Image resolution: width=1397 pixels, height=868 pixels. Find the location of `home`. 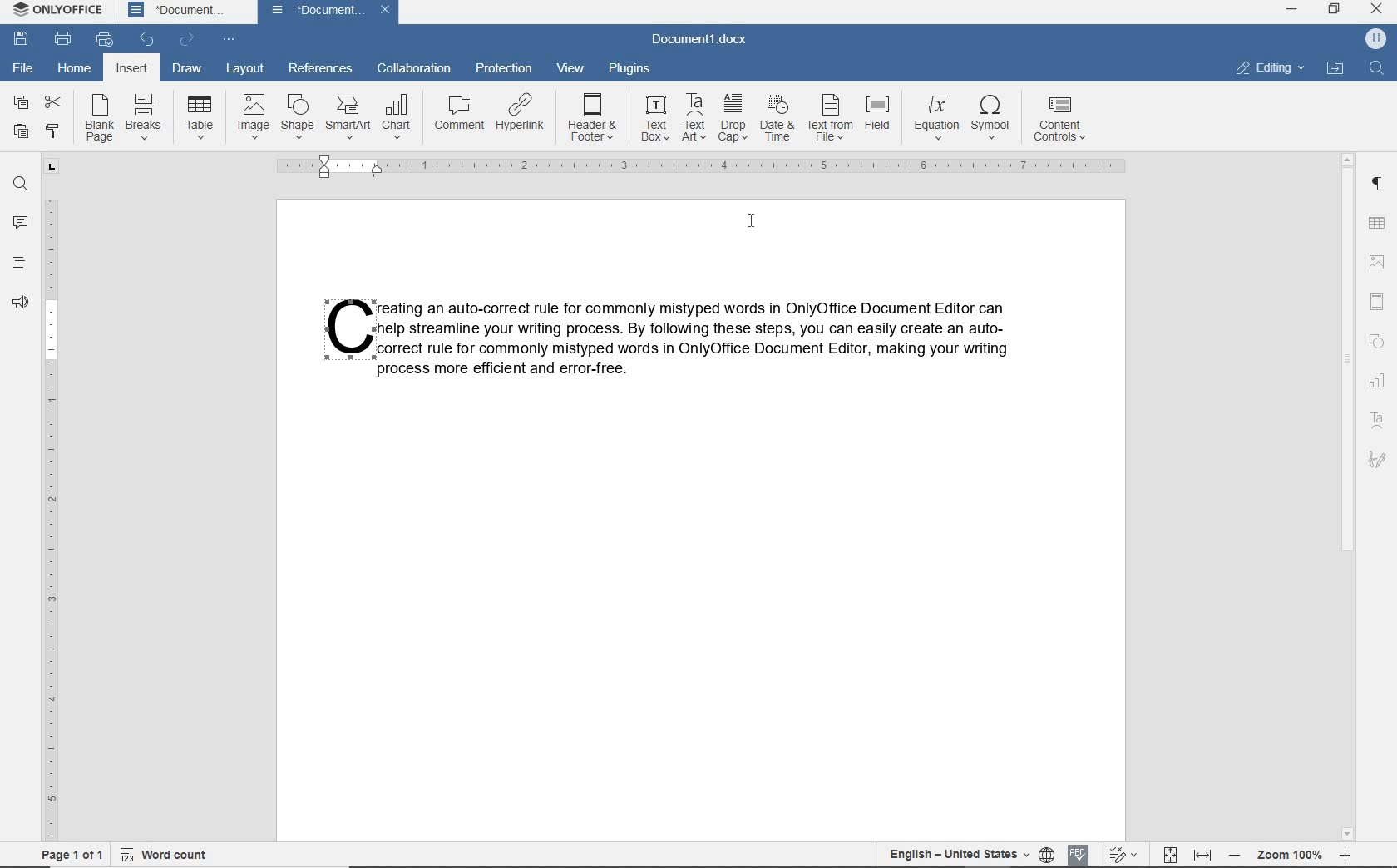

home is located at coordinates (76, 67).